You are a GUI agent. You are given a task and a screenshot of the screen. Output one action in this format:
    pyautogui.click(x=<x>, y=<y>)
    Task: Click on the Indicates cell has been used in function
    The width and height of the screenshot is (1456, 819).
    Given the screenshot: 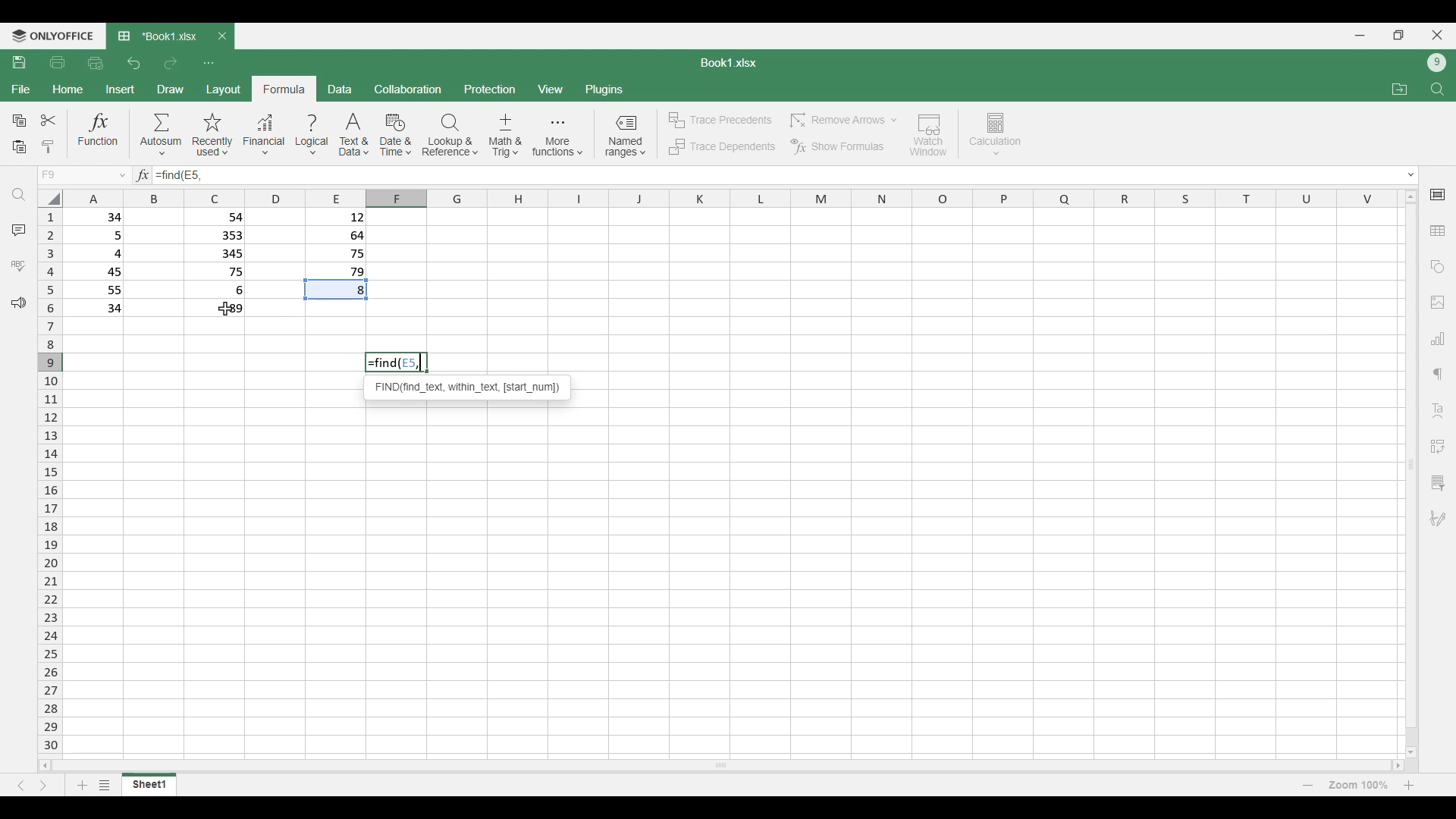 What is the action you would take?
    pyautogui.click(x=337, y=290)
    